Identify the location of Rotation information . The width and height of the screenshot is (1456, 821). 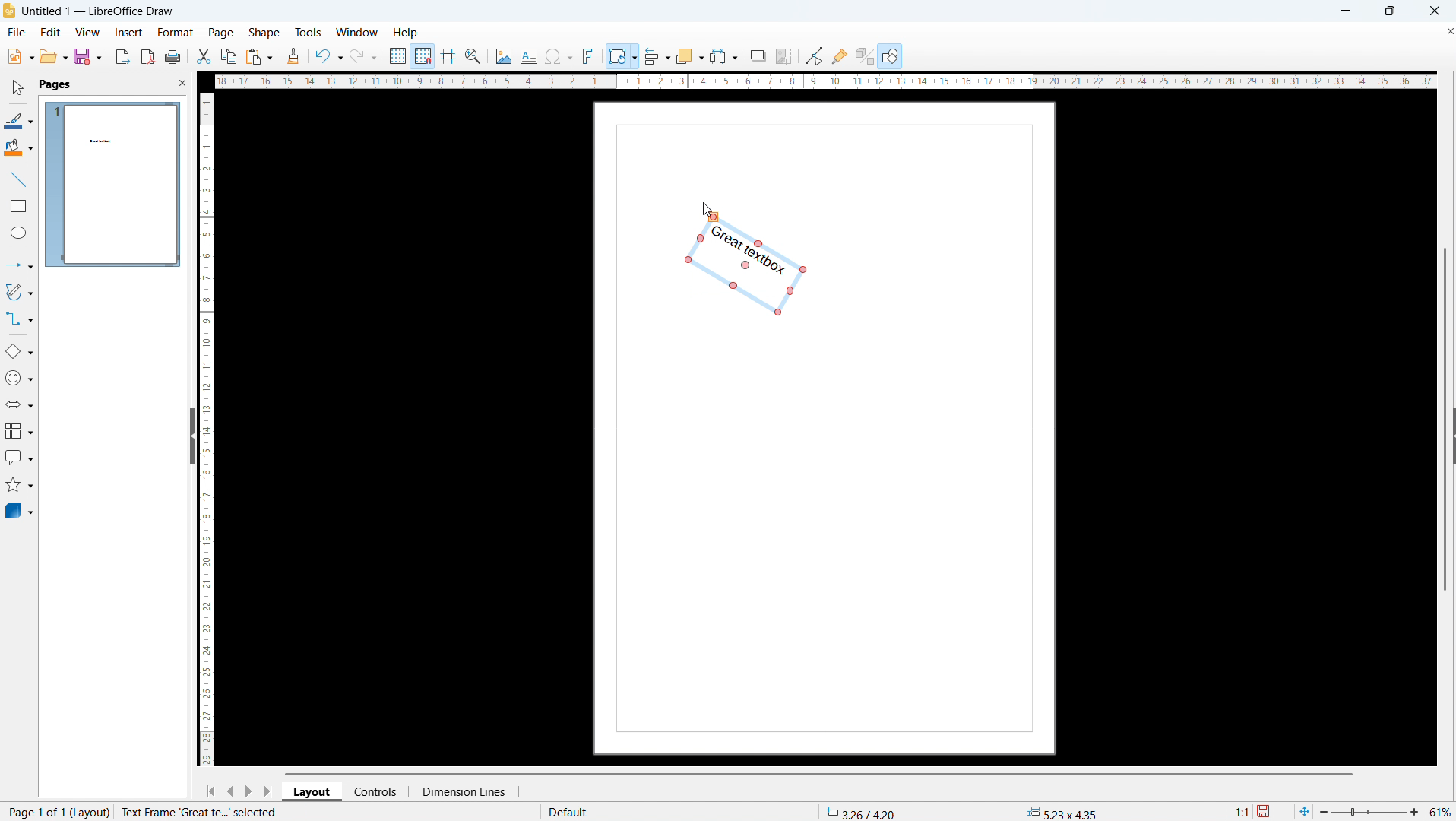
(219, 812).